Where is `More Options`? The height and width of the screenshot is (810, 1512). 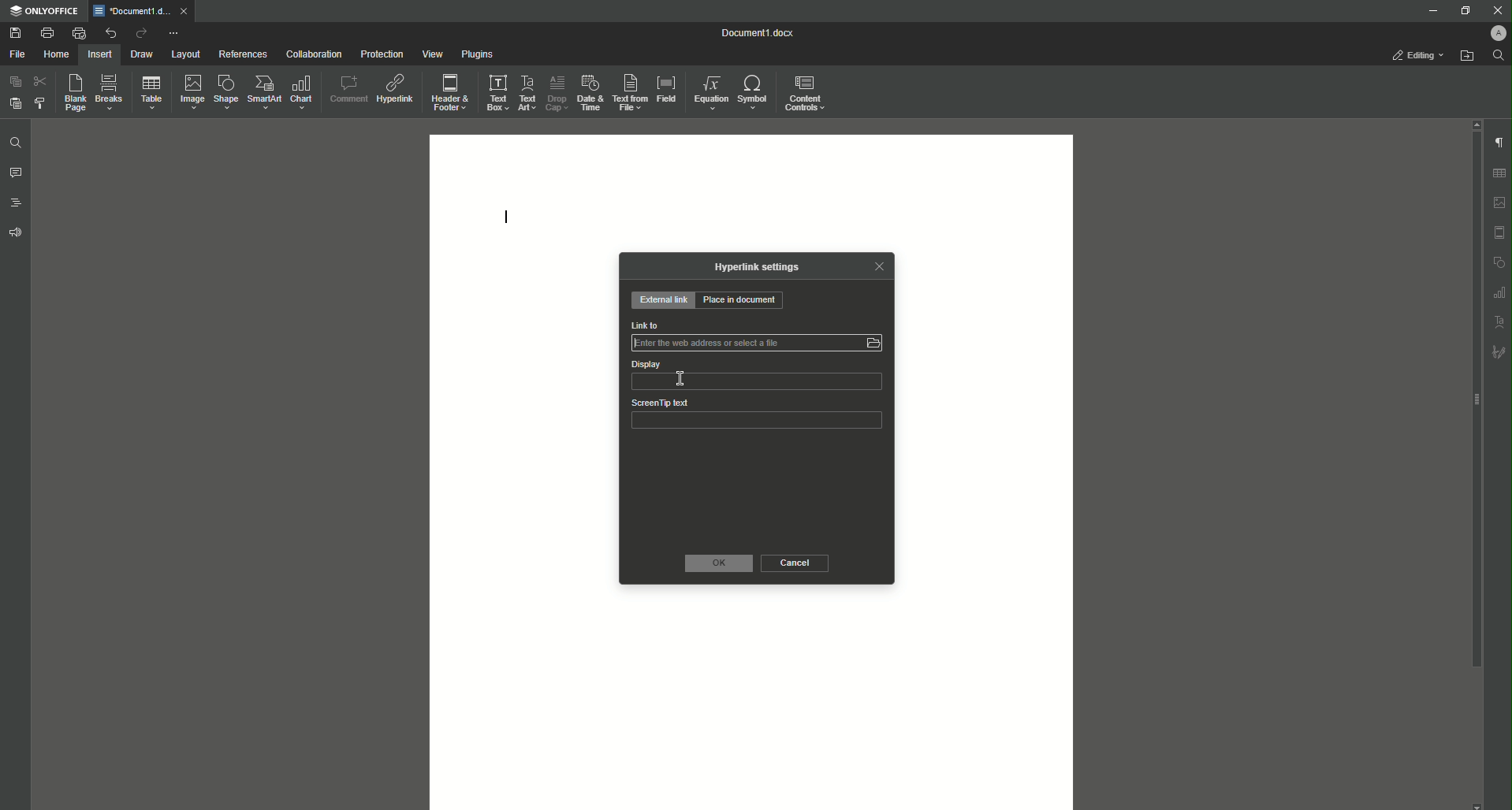
More Options is located at coordinates (175, 34).